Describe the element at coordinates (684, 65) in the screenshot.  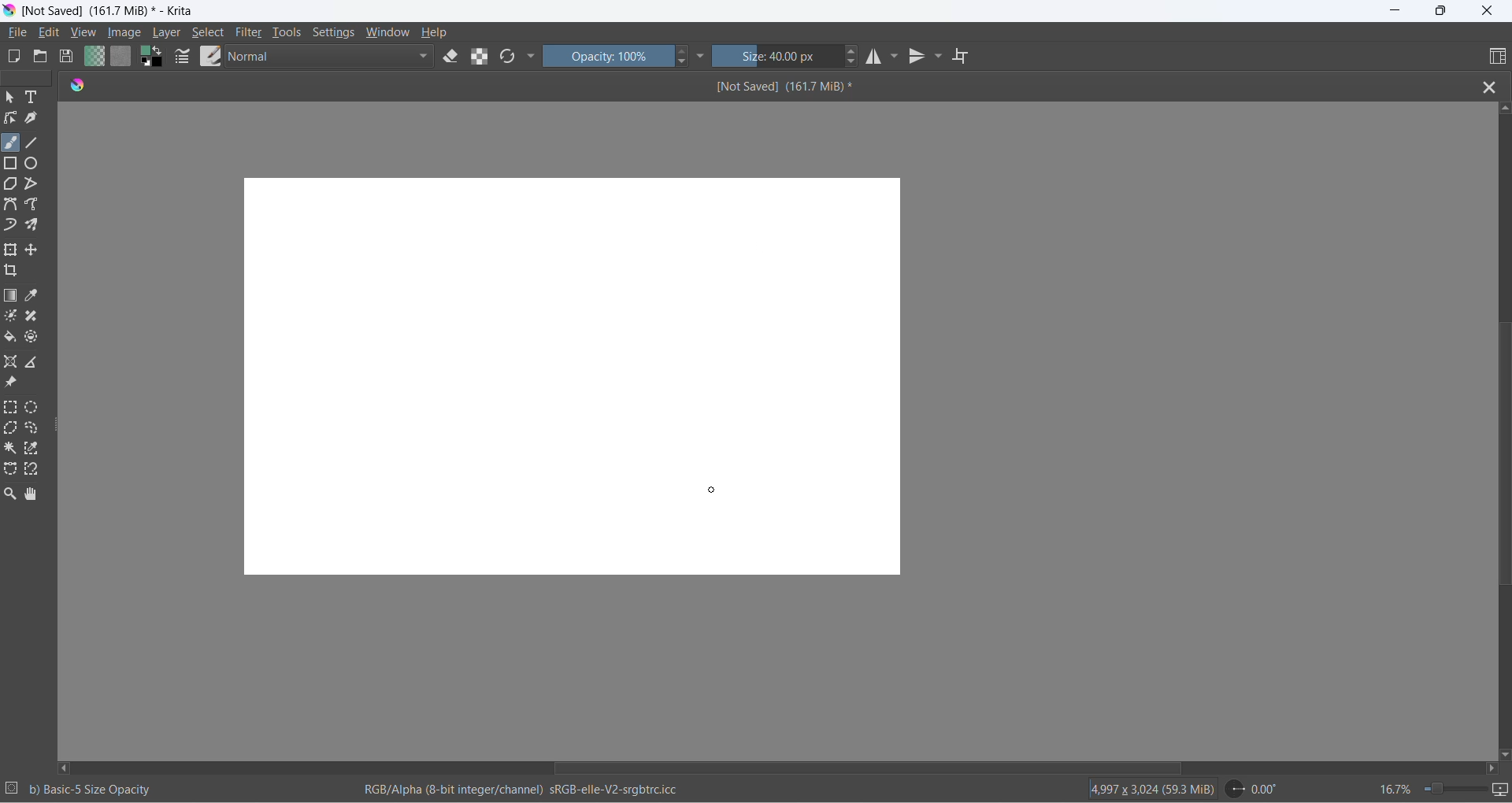
I see `decrement opacity` at that location.